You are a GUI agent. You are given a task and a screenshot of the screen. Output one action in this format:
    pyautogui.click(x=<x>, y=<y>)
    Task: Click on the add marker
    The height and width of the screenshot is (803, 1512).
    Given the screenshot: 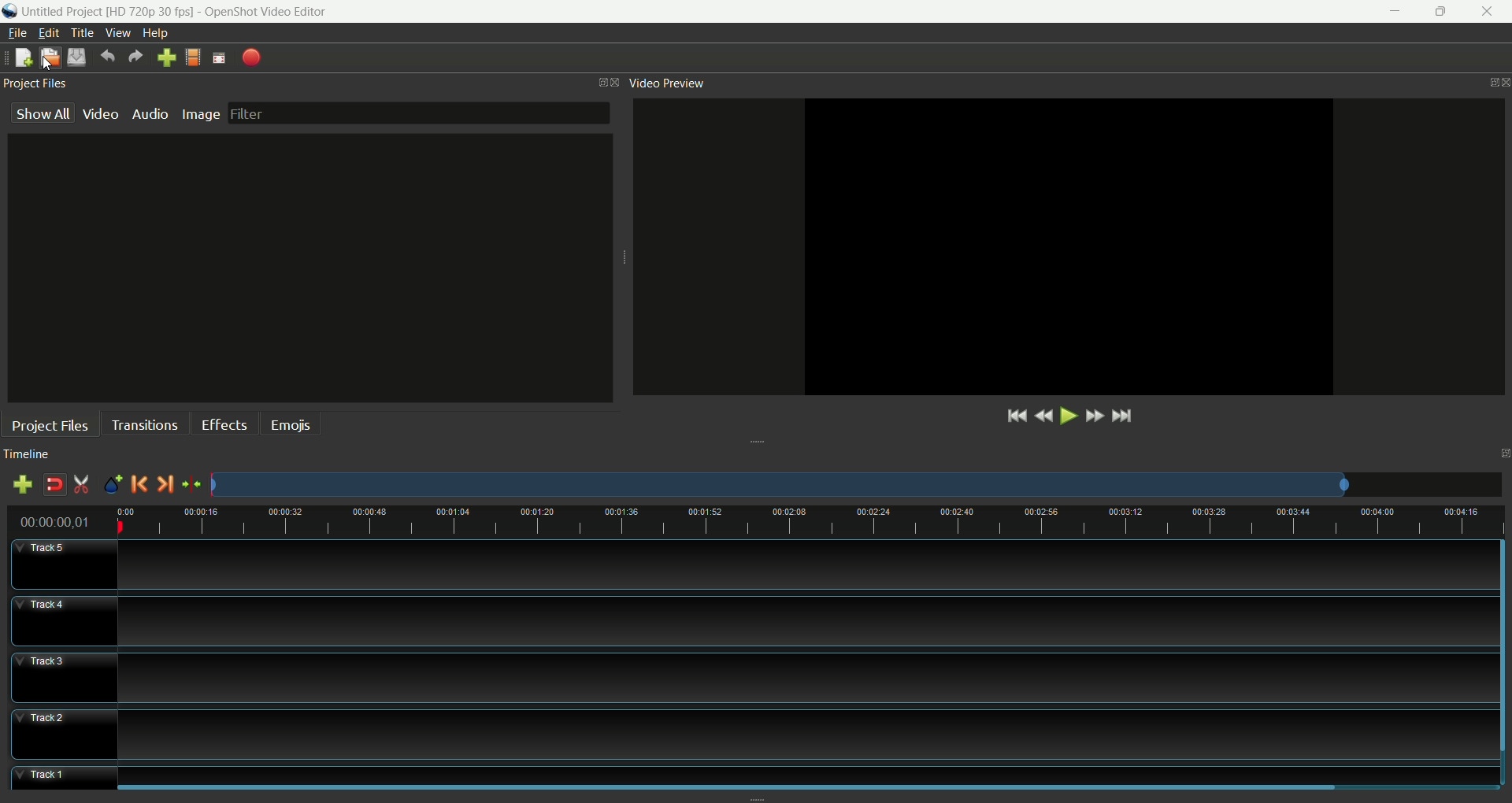 What is the action you would take?
    pyautogui.click(x=112, y=483)
    